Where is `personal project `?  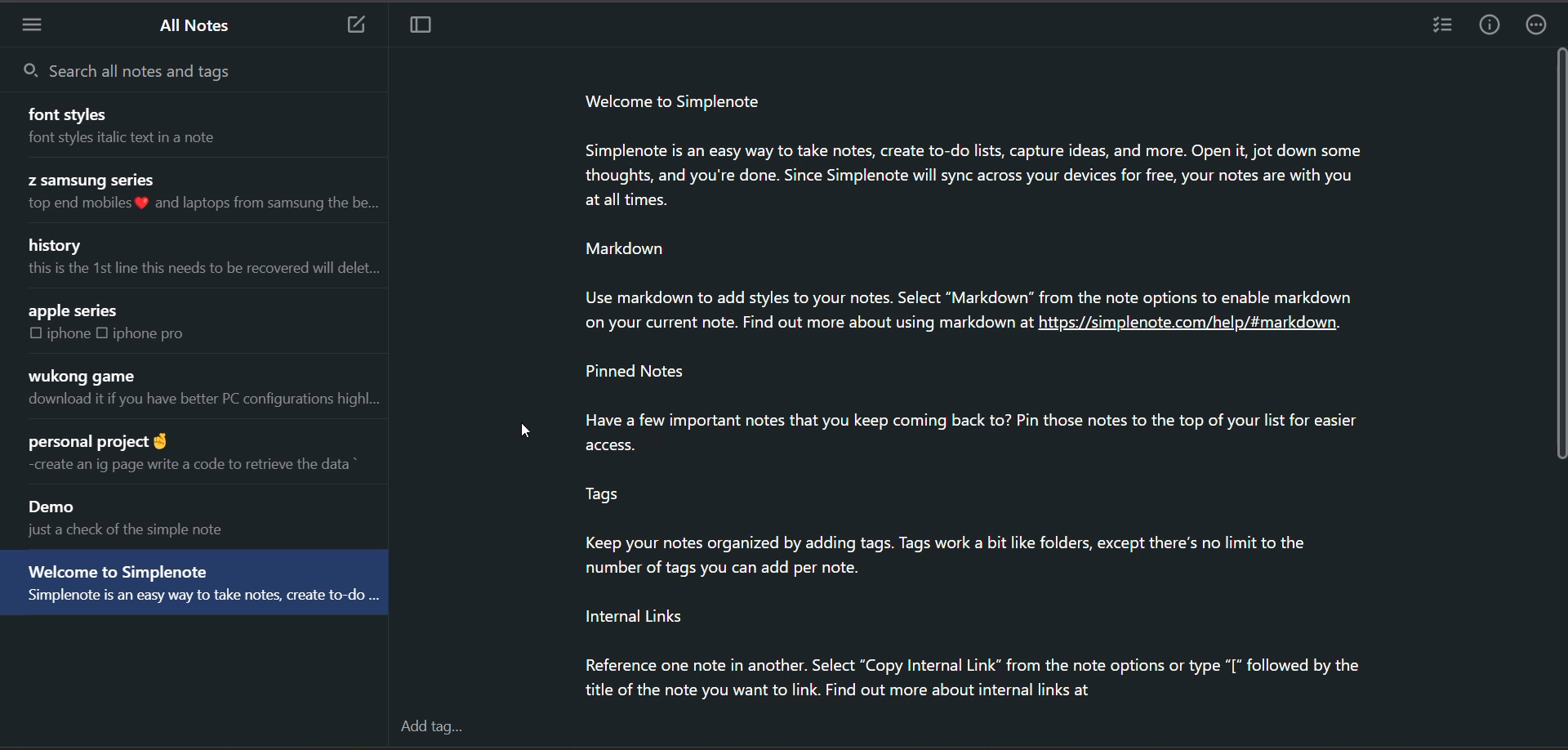 personal project  is located at coordinates (100, 443).